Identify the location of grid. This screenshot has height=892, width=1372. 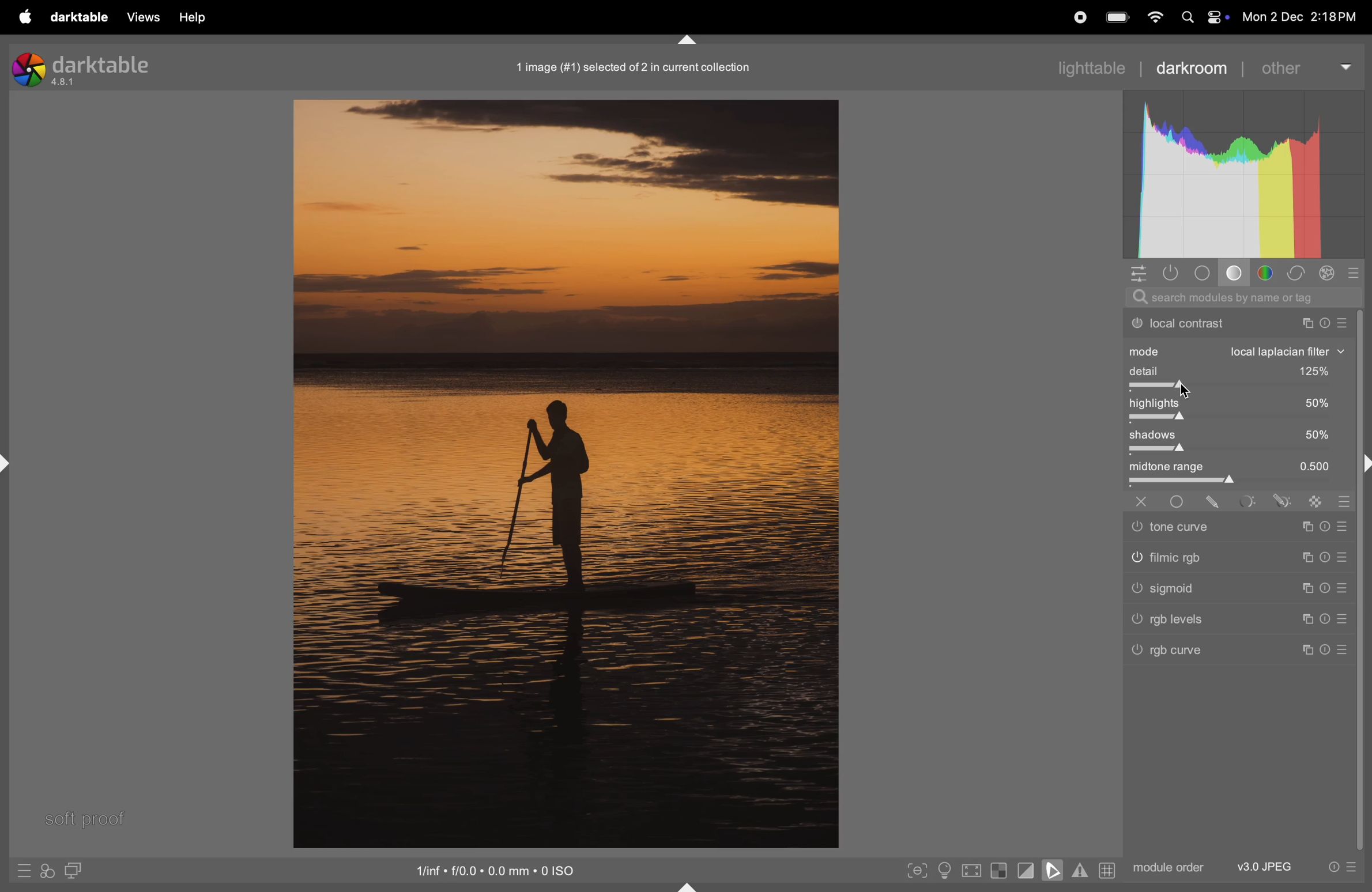
(1106, 869).